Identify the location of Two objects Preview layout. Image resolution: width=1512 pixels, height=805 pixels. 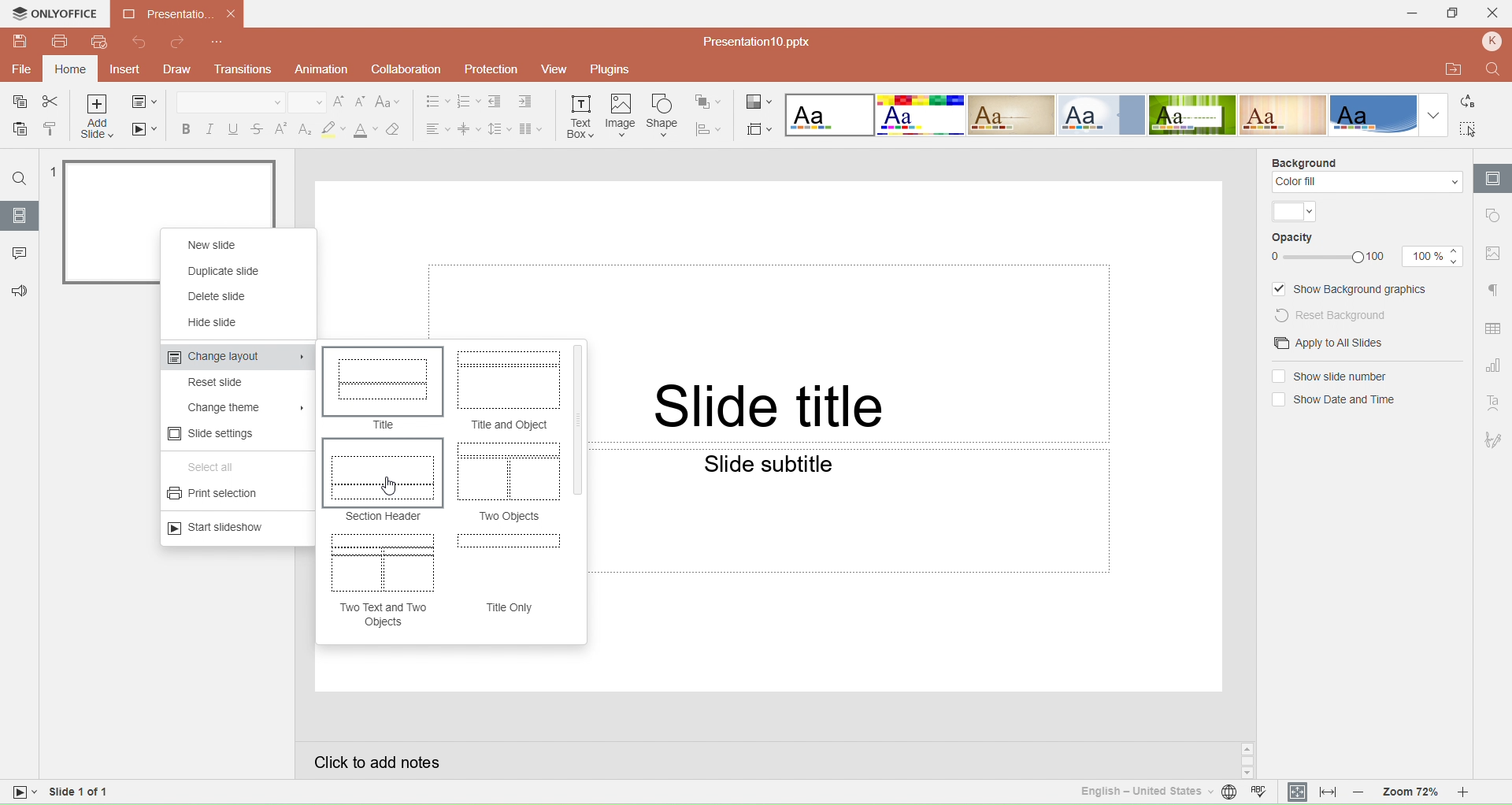
(506, 473).